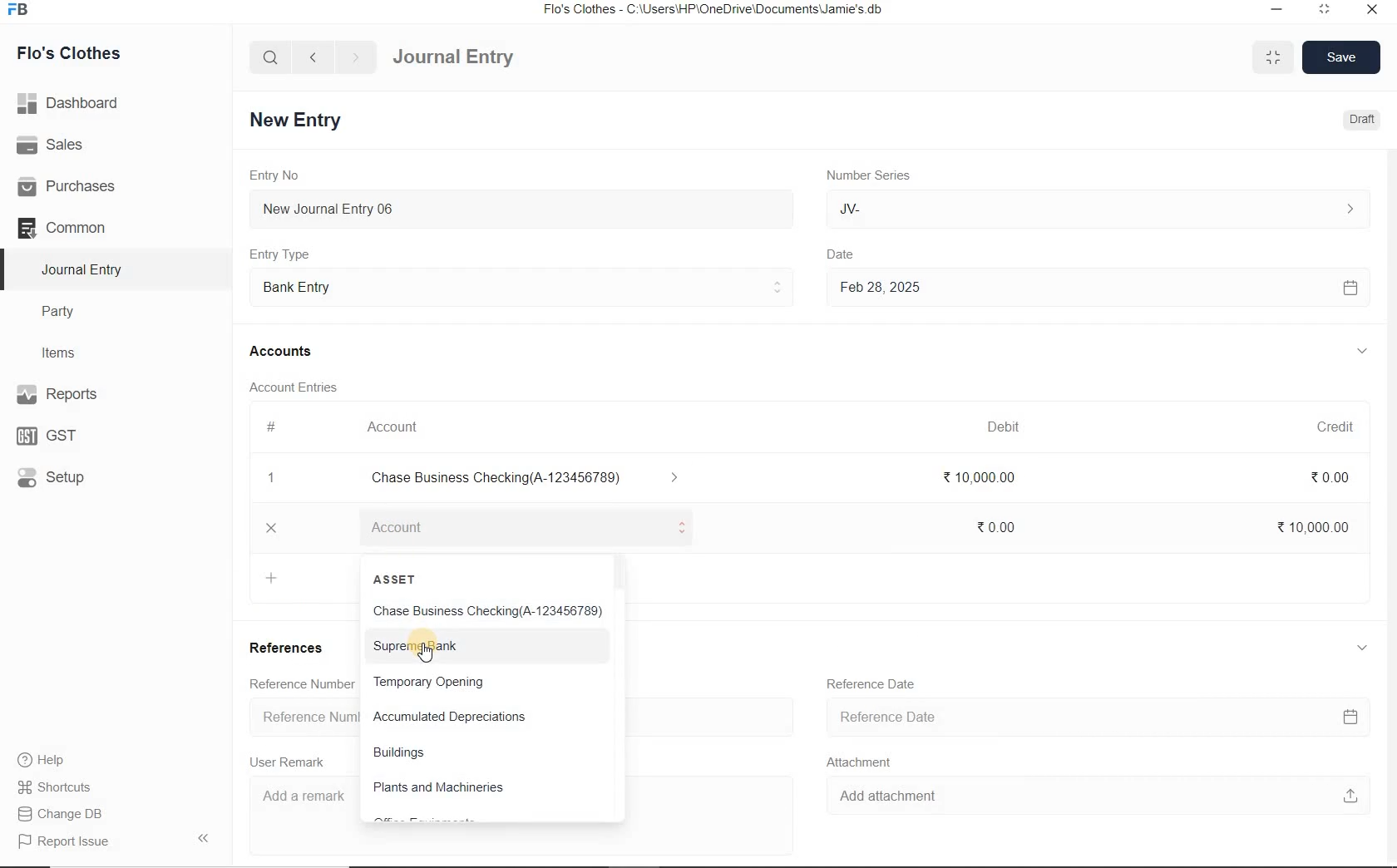  What do you see at coordinates (1340, 476) in the screenshot?
I see `₹0.00` at bounding box center [1340, 476].